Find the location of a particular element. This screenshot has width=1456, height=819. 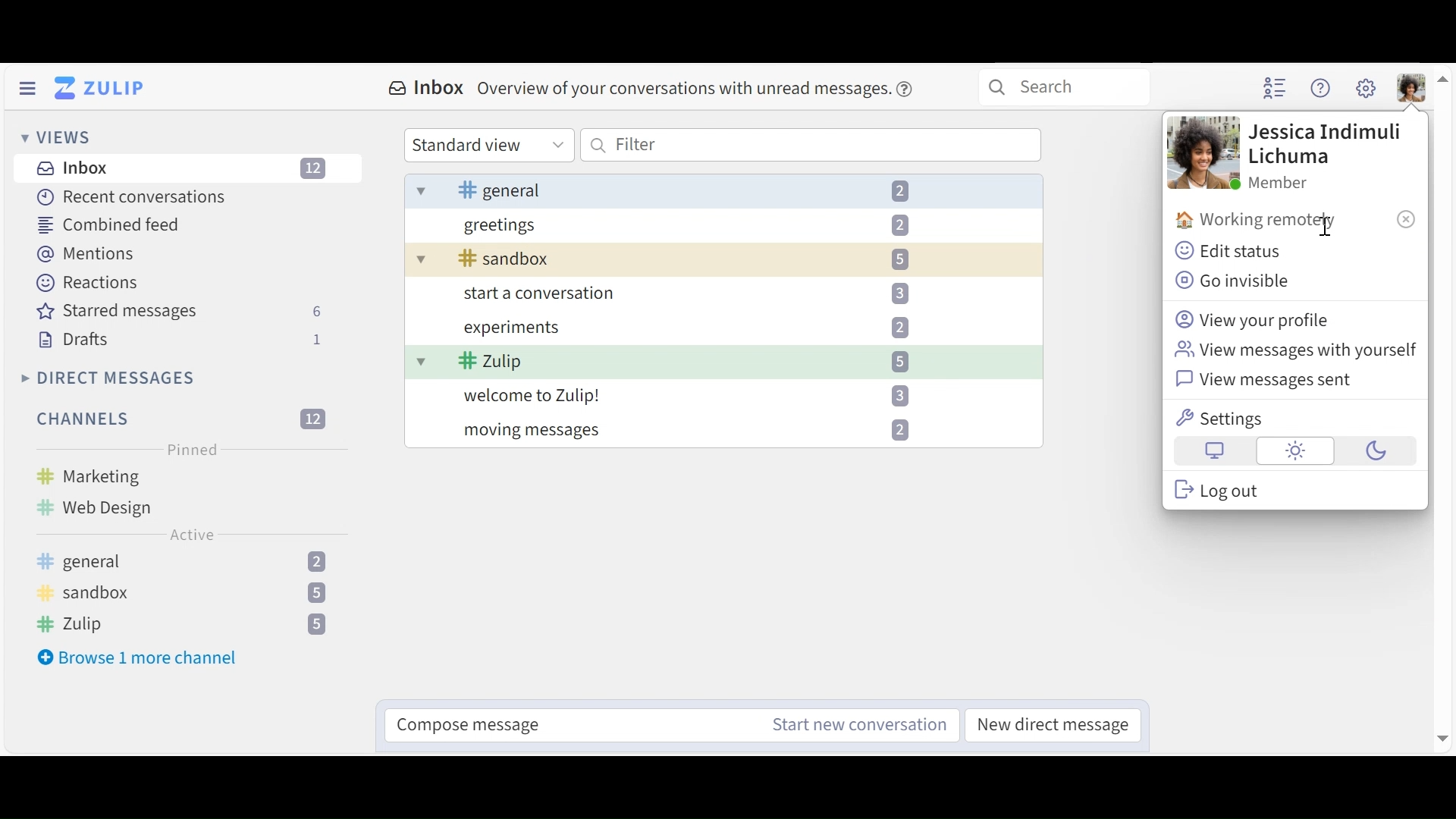

Compose message is located at coordinates (563, 724).